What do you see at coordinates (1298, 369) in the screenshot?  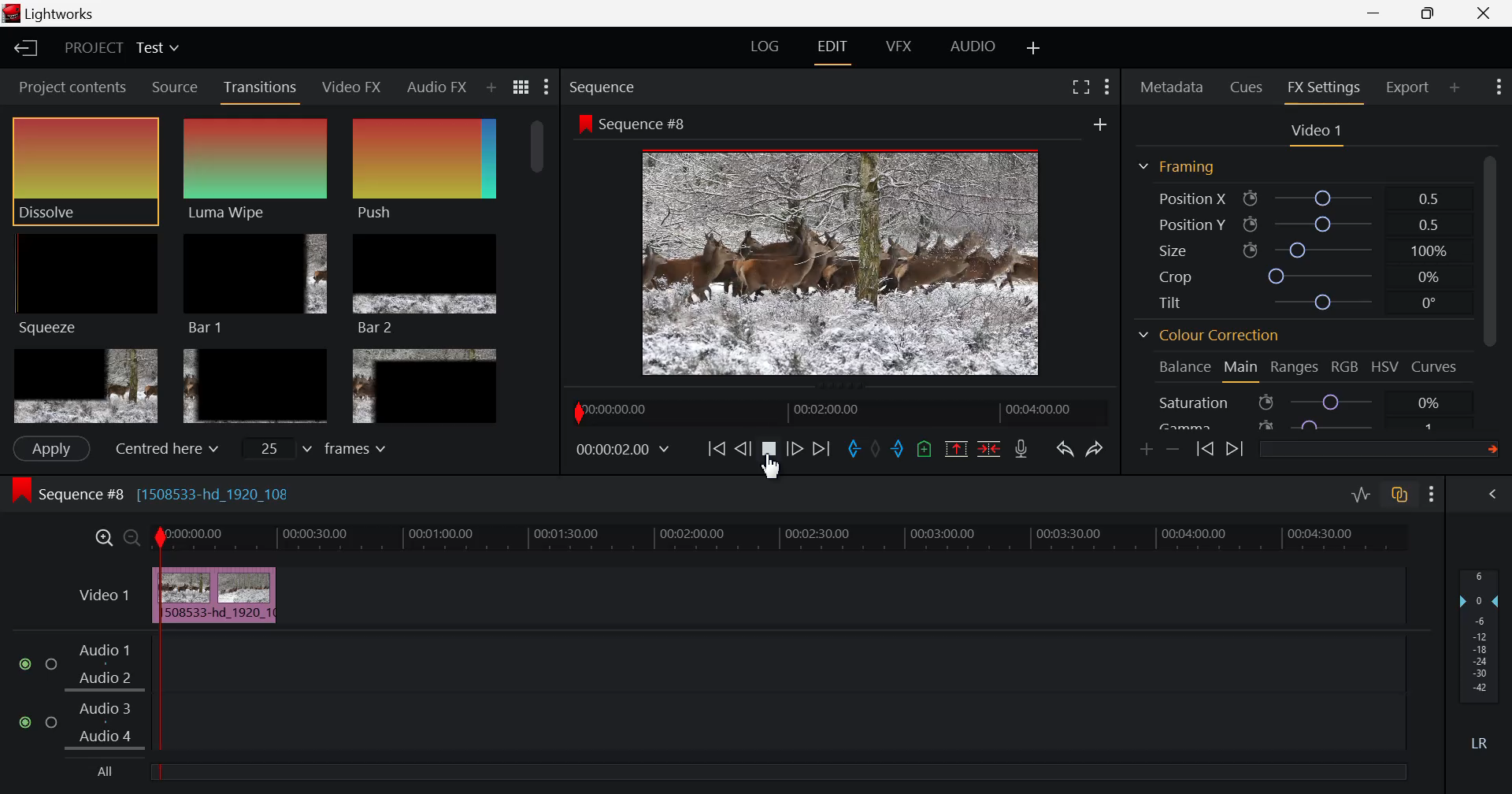 I see `Ranges` at bounding box center [1298, 369].